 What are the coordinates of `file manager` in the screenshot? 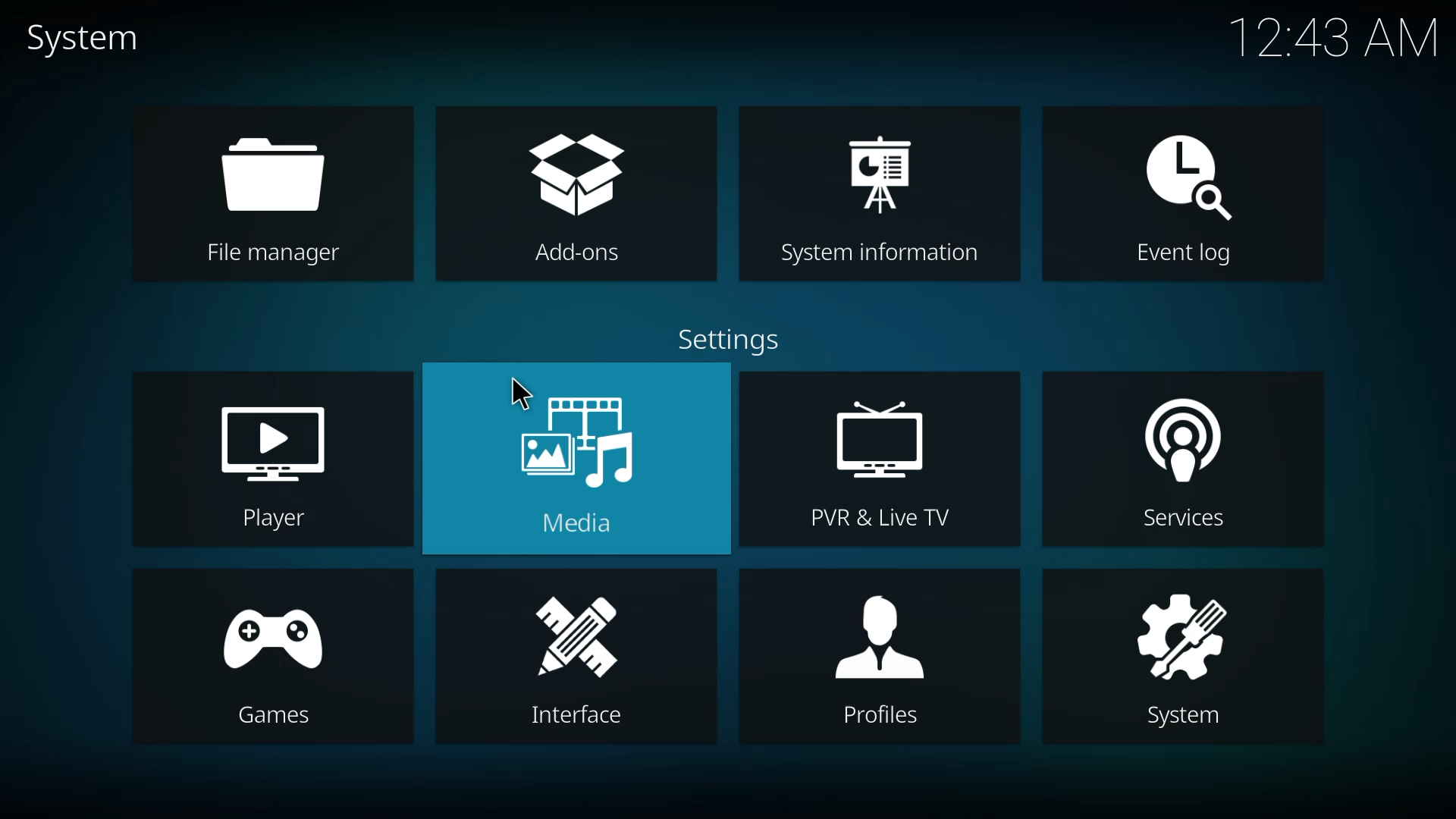 It's located at (275, 197).